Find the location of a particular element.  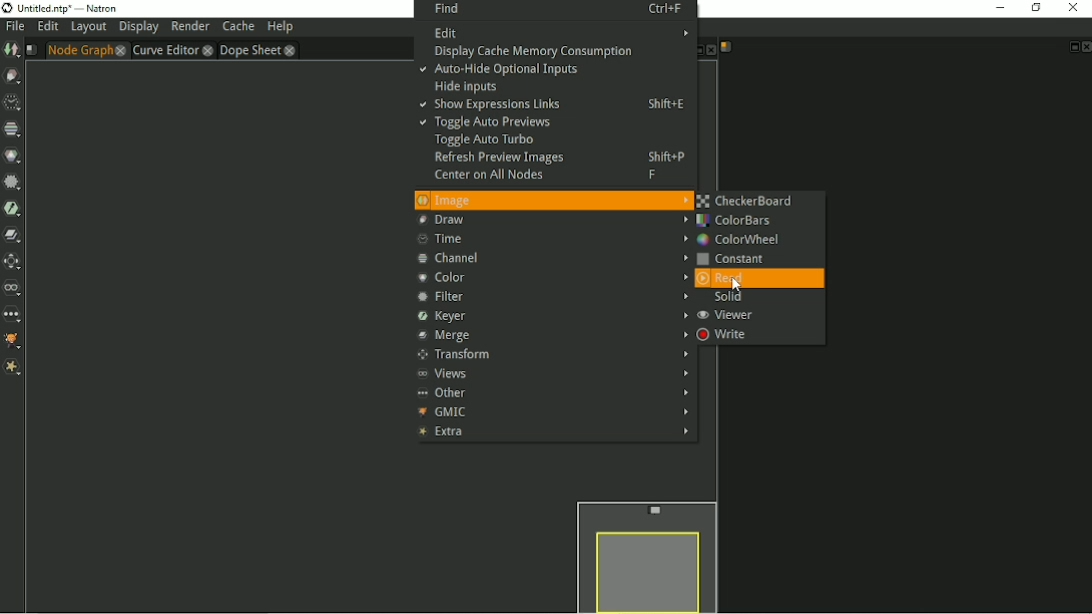

GMIC is located at coordinates (551, 412).